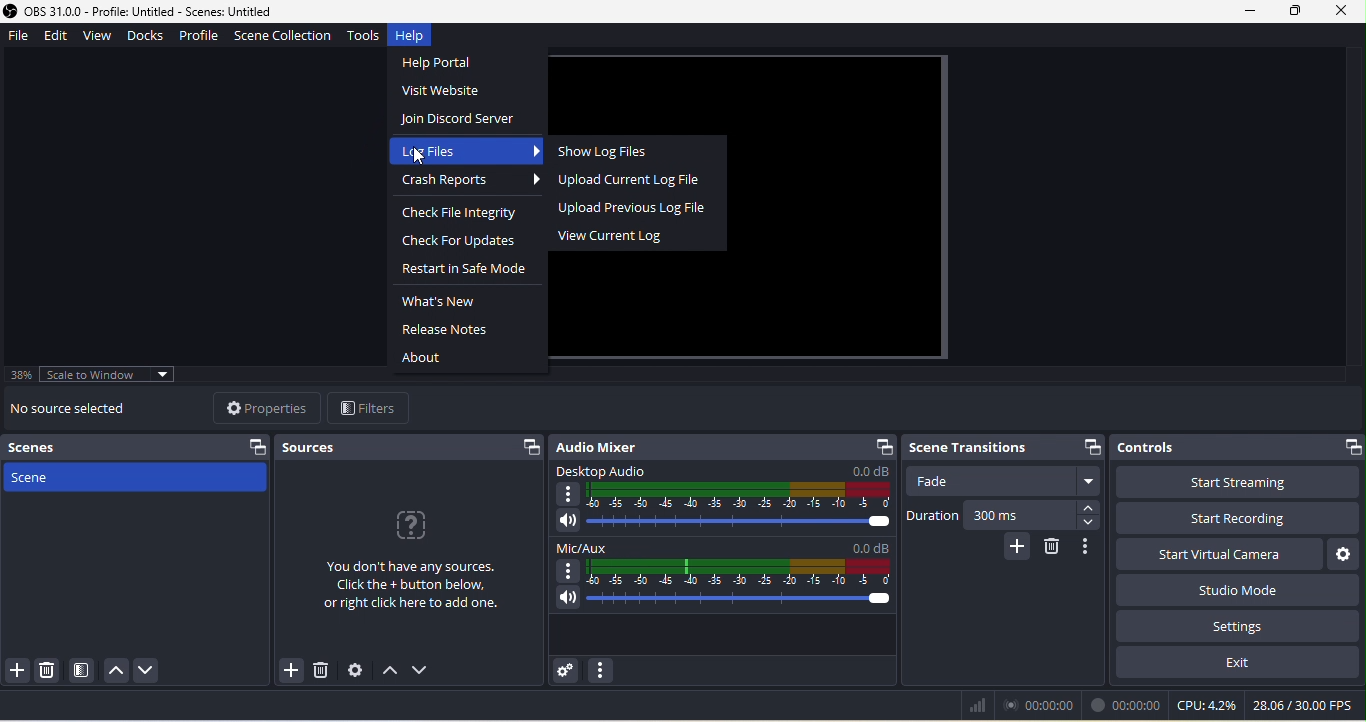  I want to click on add scene, so click(17, 673).